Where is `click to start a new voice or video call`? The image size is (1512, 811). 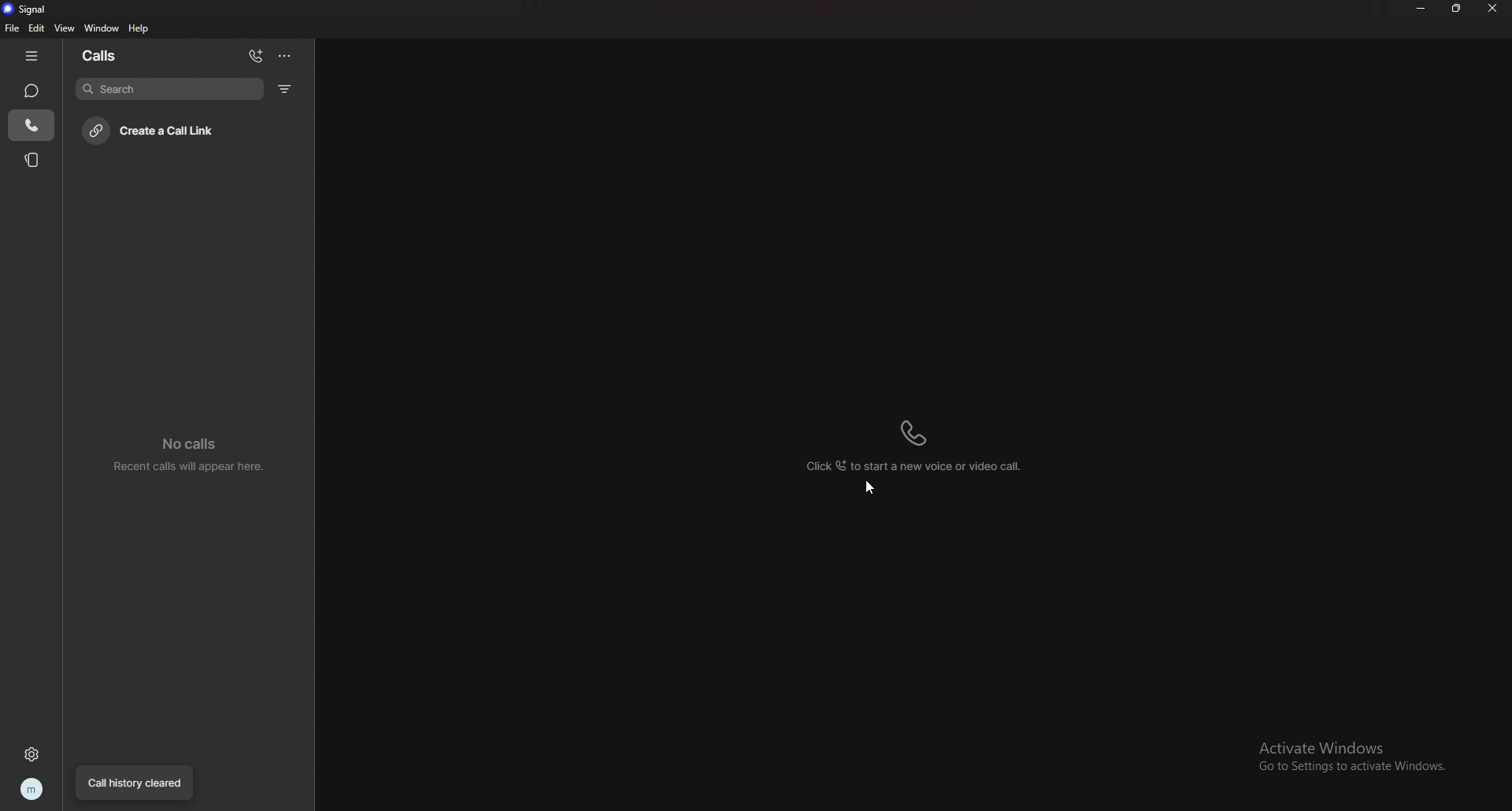
click to start a new voice or video call is located at coordinates (921, 446).